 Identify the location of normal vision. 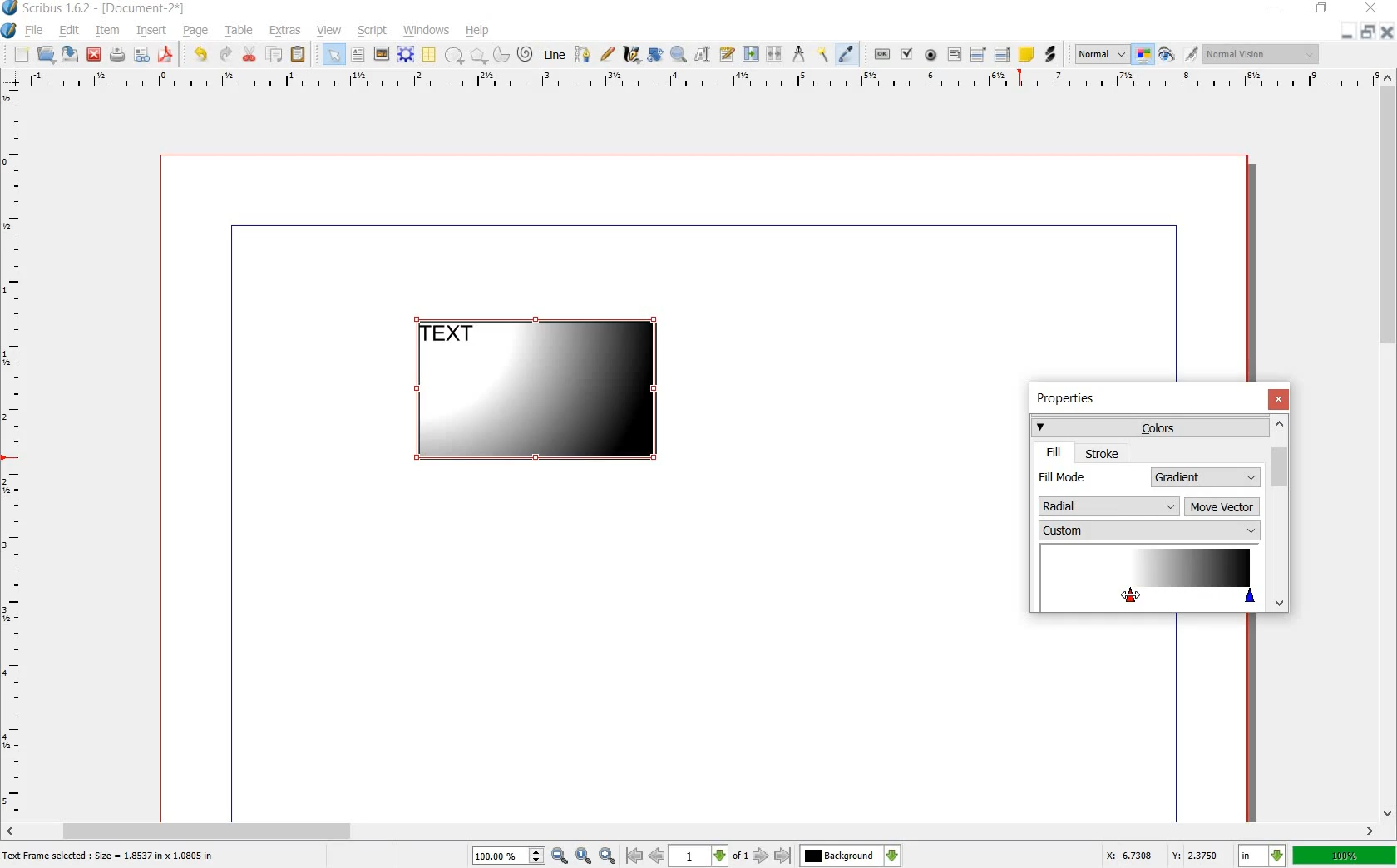
(1264, 53).